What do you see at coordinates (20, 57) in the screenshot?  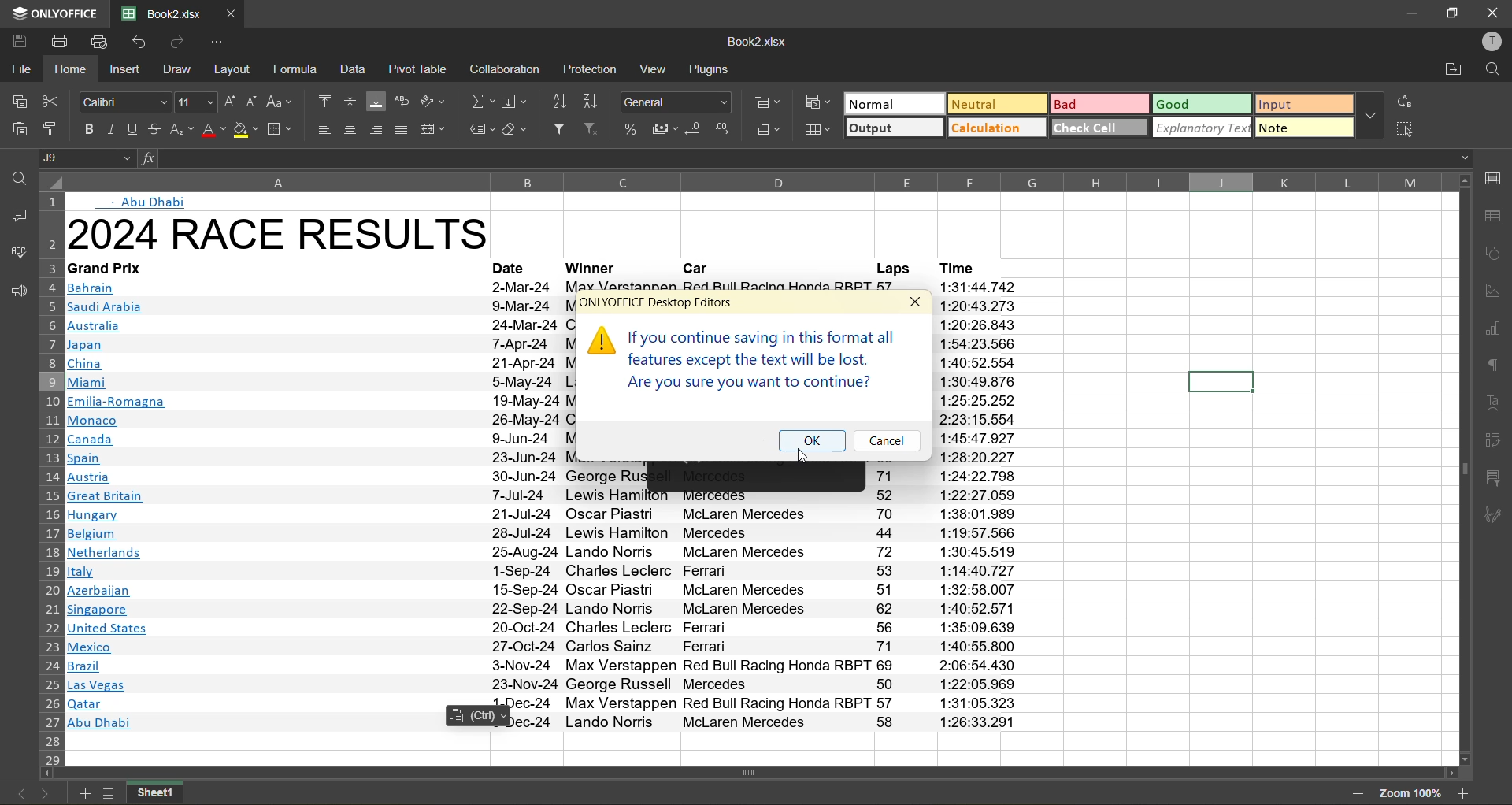 I see `cursor` at bounding box center [20, 57].